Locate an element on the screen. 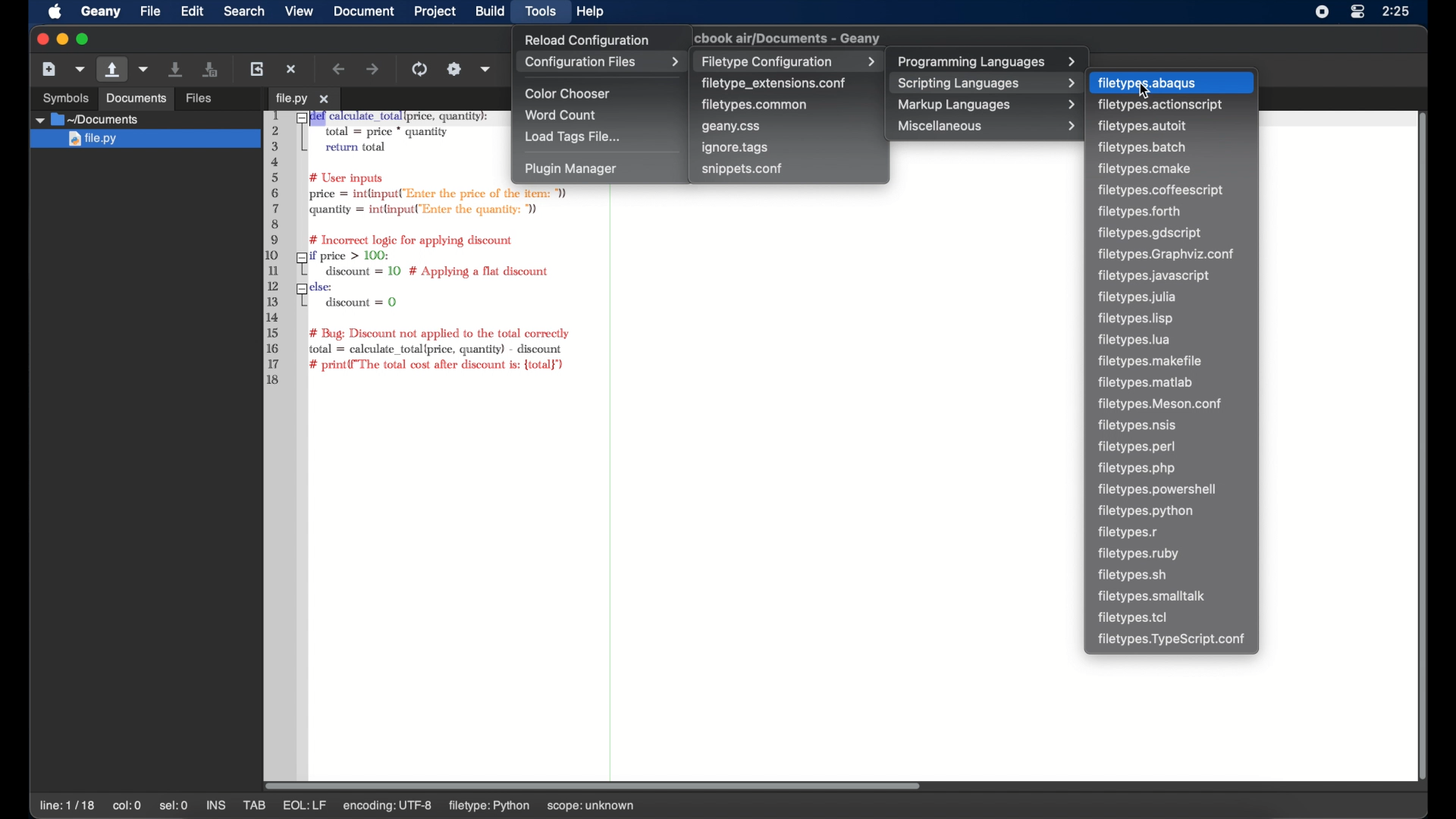  reload configuration is located at coordinates (585, 39).